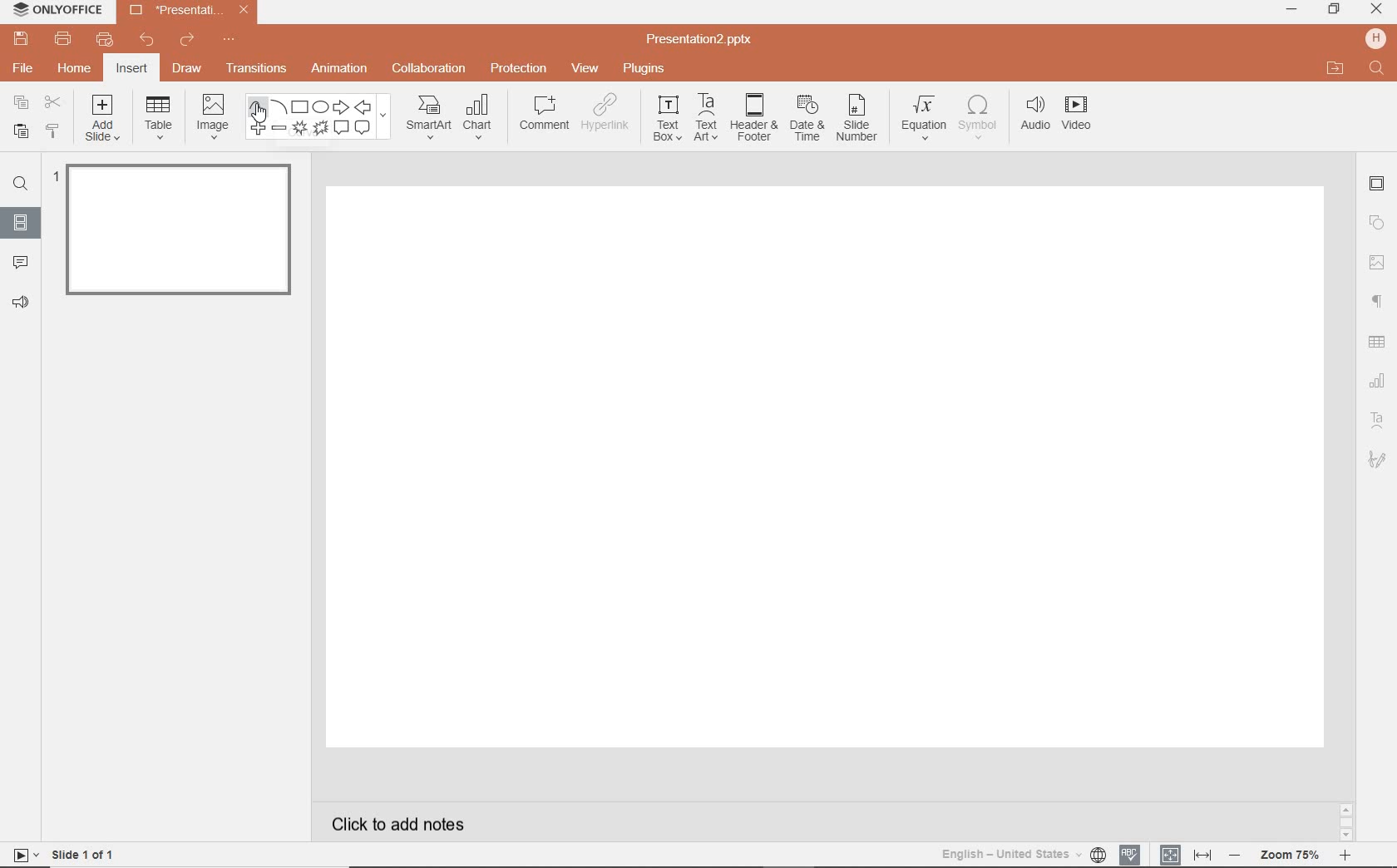 The image size is (1397, 868). Describe the element at coordinates (1186, 853) in the screenshot. I see `FIT TO SLIDE / FIT TO WIDTH` at that location.